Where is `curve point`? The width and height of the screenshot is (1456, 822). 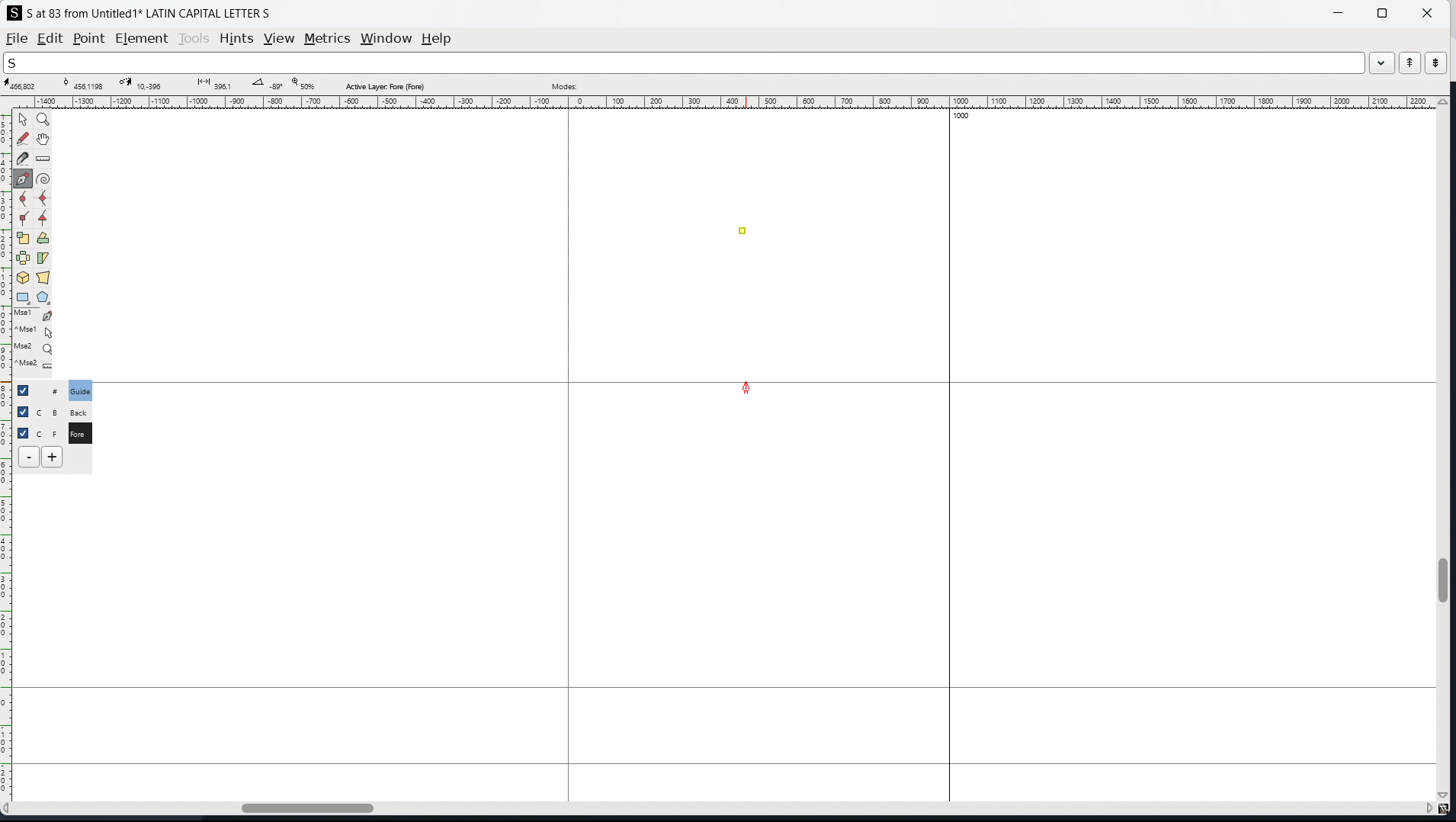
curve point is located at coordinates (742, 231).